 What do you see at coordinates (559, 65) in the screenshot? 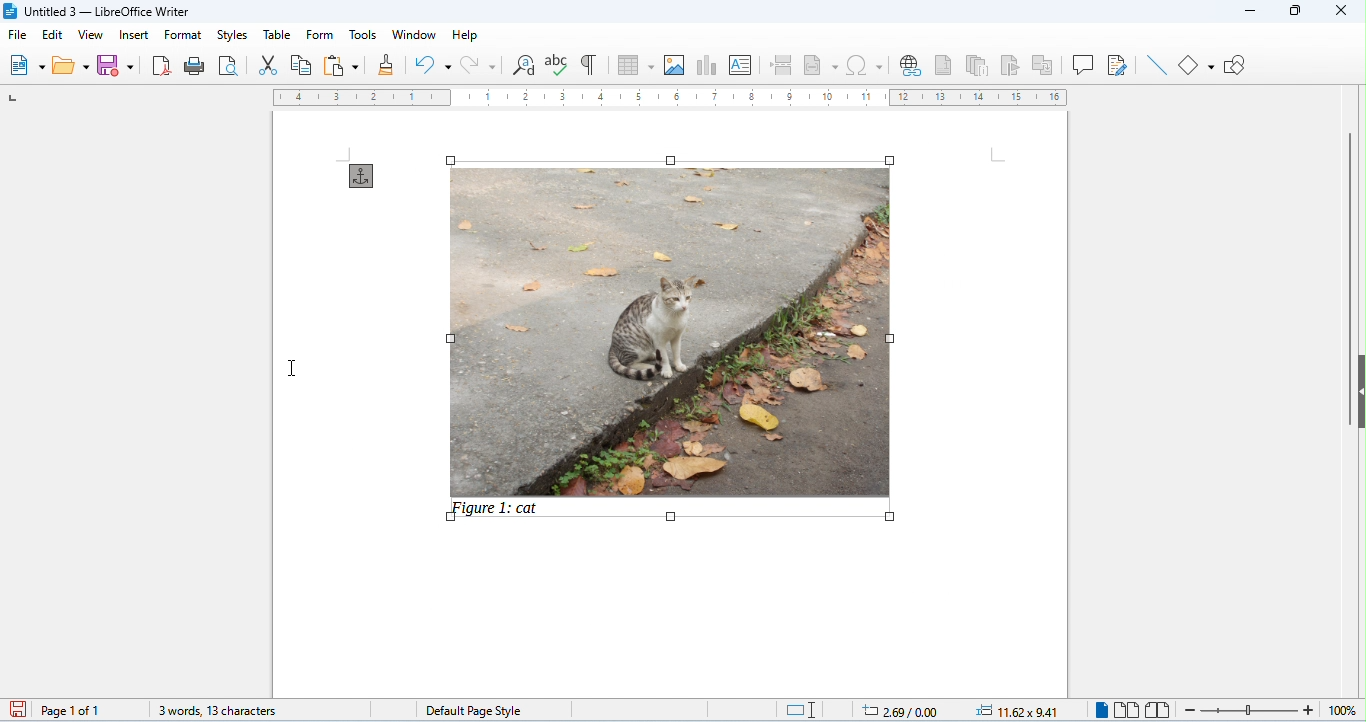
I see `spelling` at bounding box center [559, 65].